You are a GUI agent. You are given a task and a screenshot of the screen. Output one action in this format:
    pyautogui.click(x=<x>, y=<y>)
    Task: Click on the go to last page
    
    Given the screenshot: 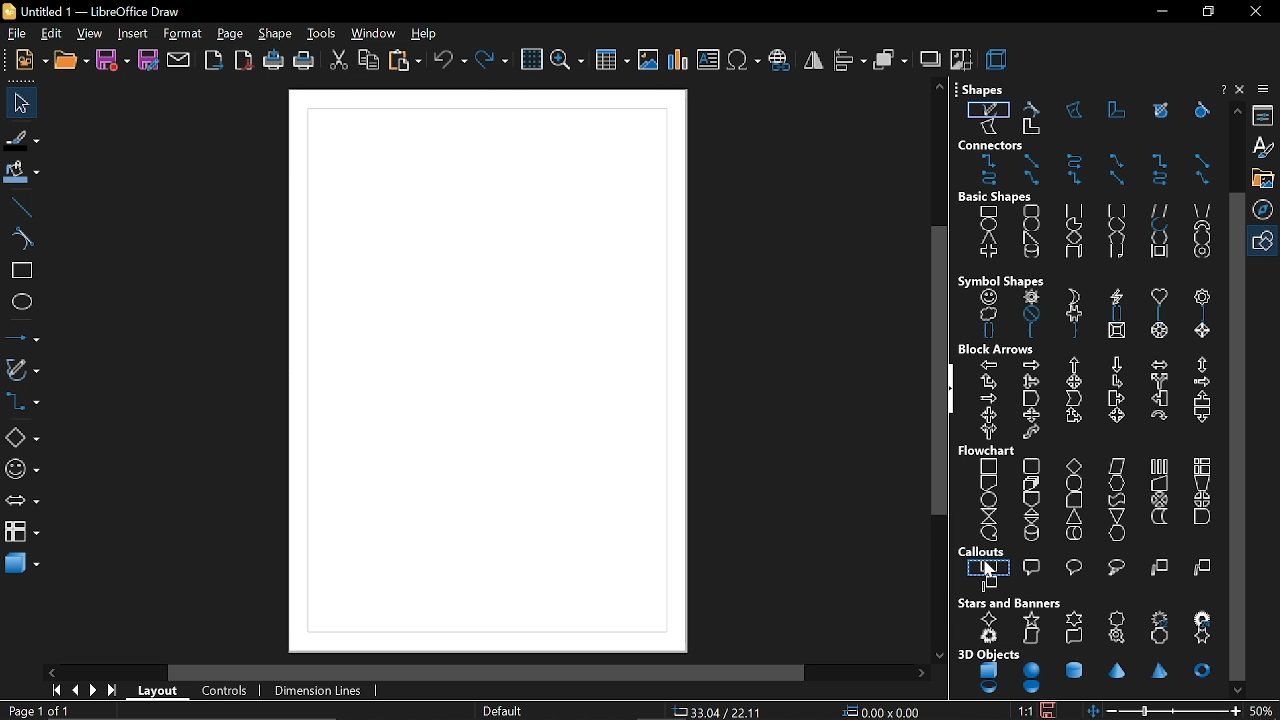 What is the action you would take?
    pyautogui.click(x=110, y=693)
    